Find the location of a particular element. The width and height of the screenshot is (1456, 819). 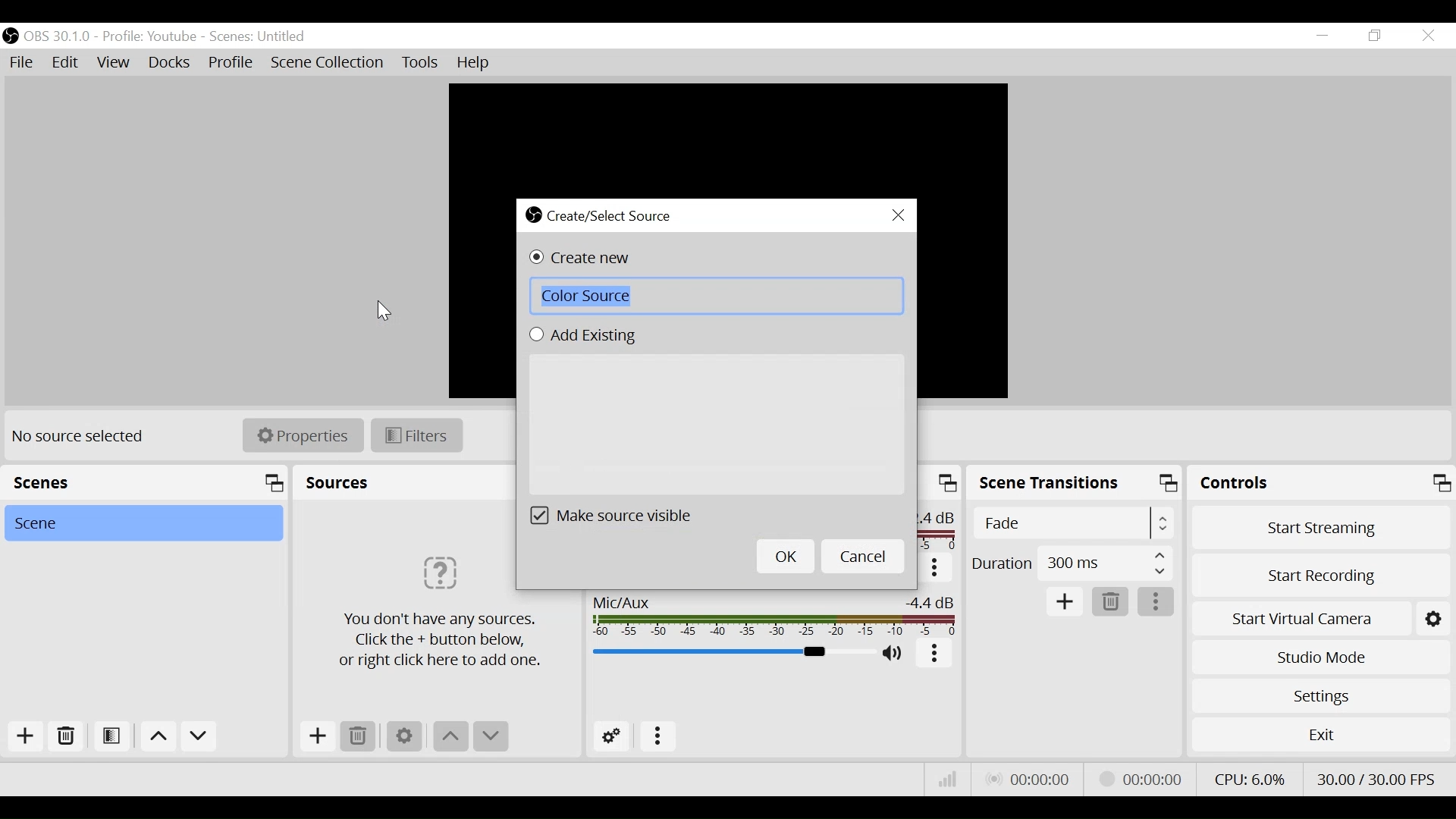

Move up is located at coordinates (451, 738).